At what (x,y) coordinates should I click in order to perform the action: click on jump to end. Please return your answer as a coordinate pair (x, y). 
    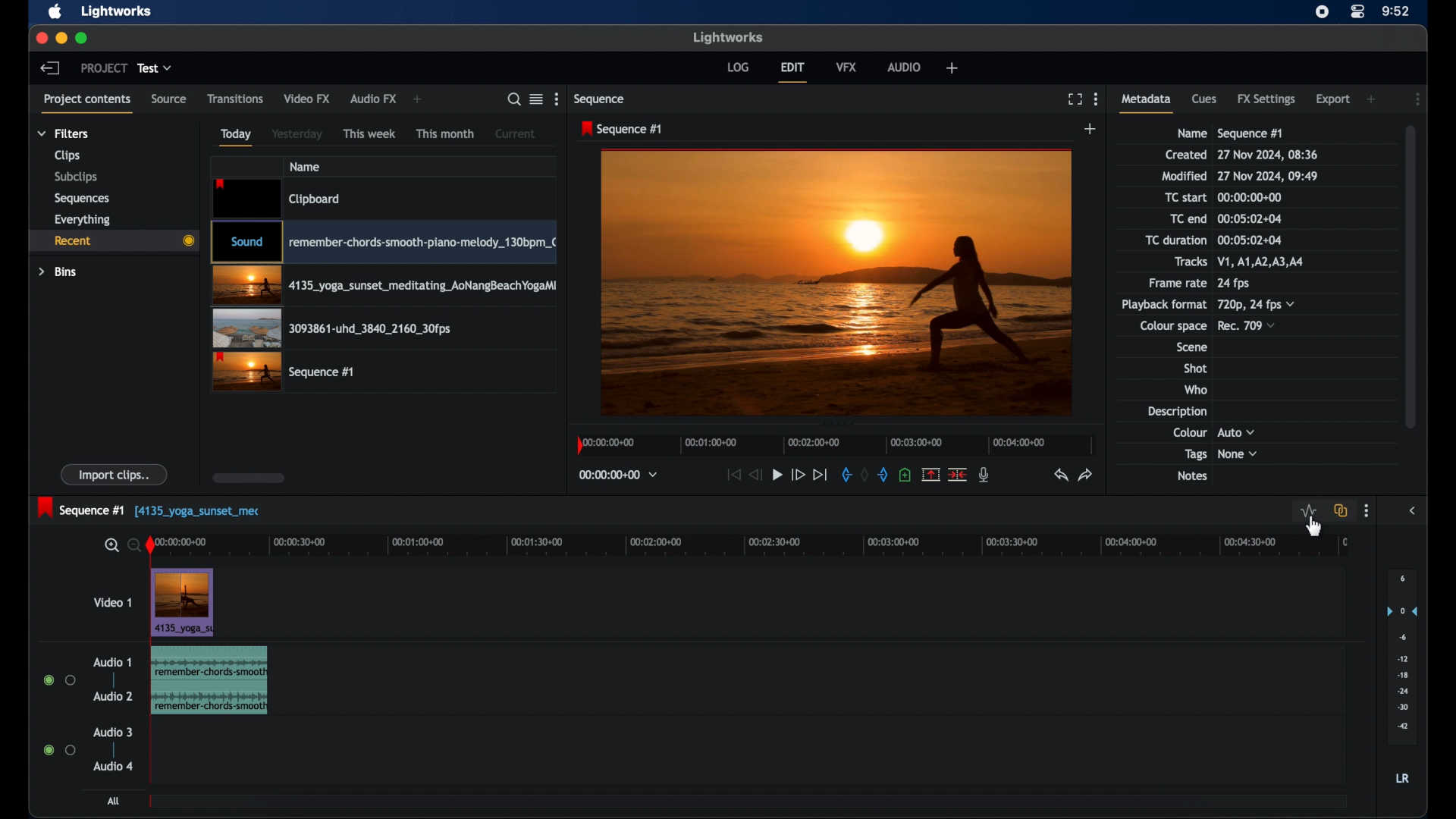
    Looking at the image, I should click on (821, 475).